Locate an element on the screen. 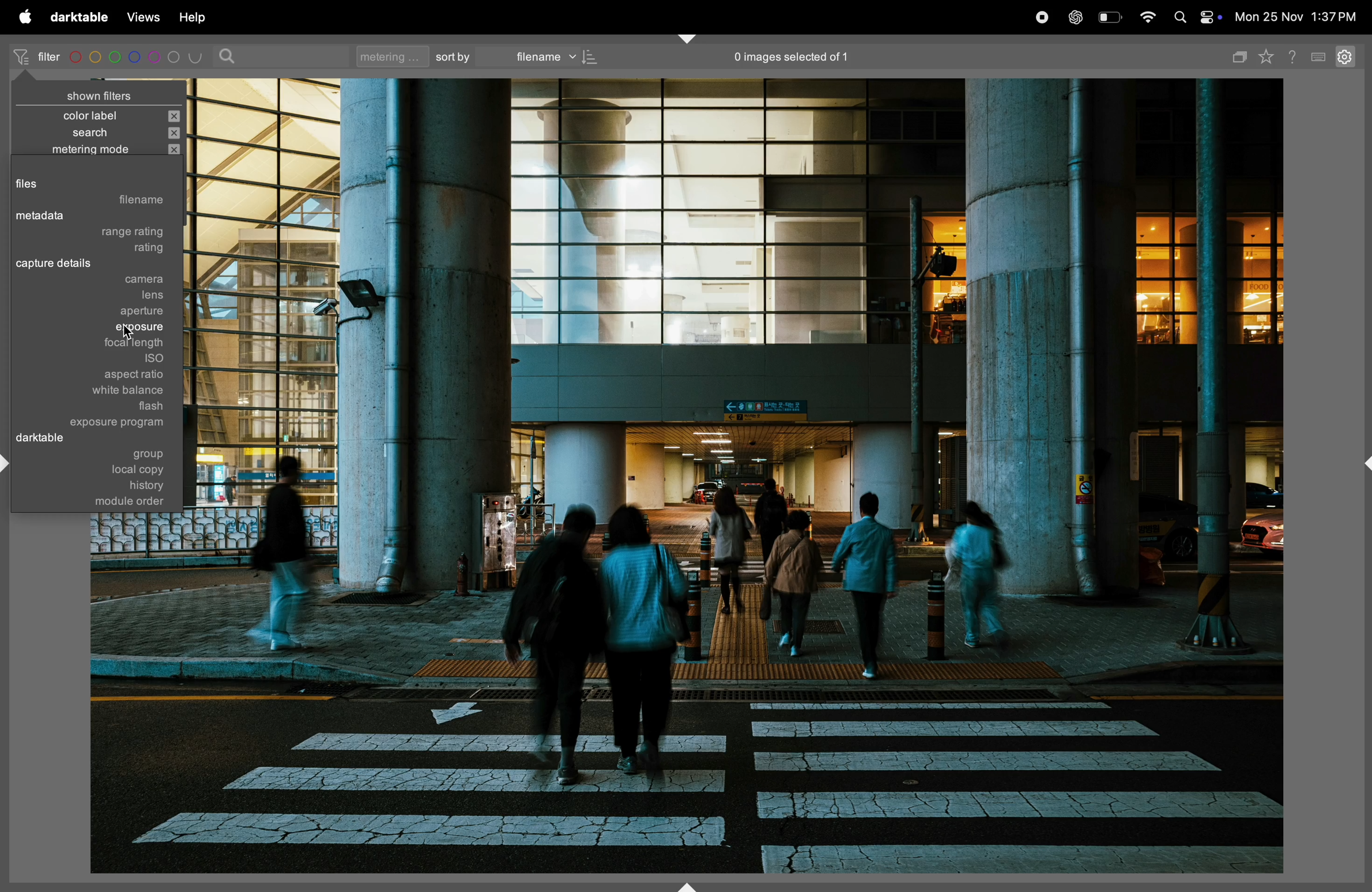 This screenshot has width=1372, height=892. camera is located at coordinates (100, 281).